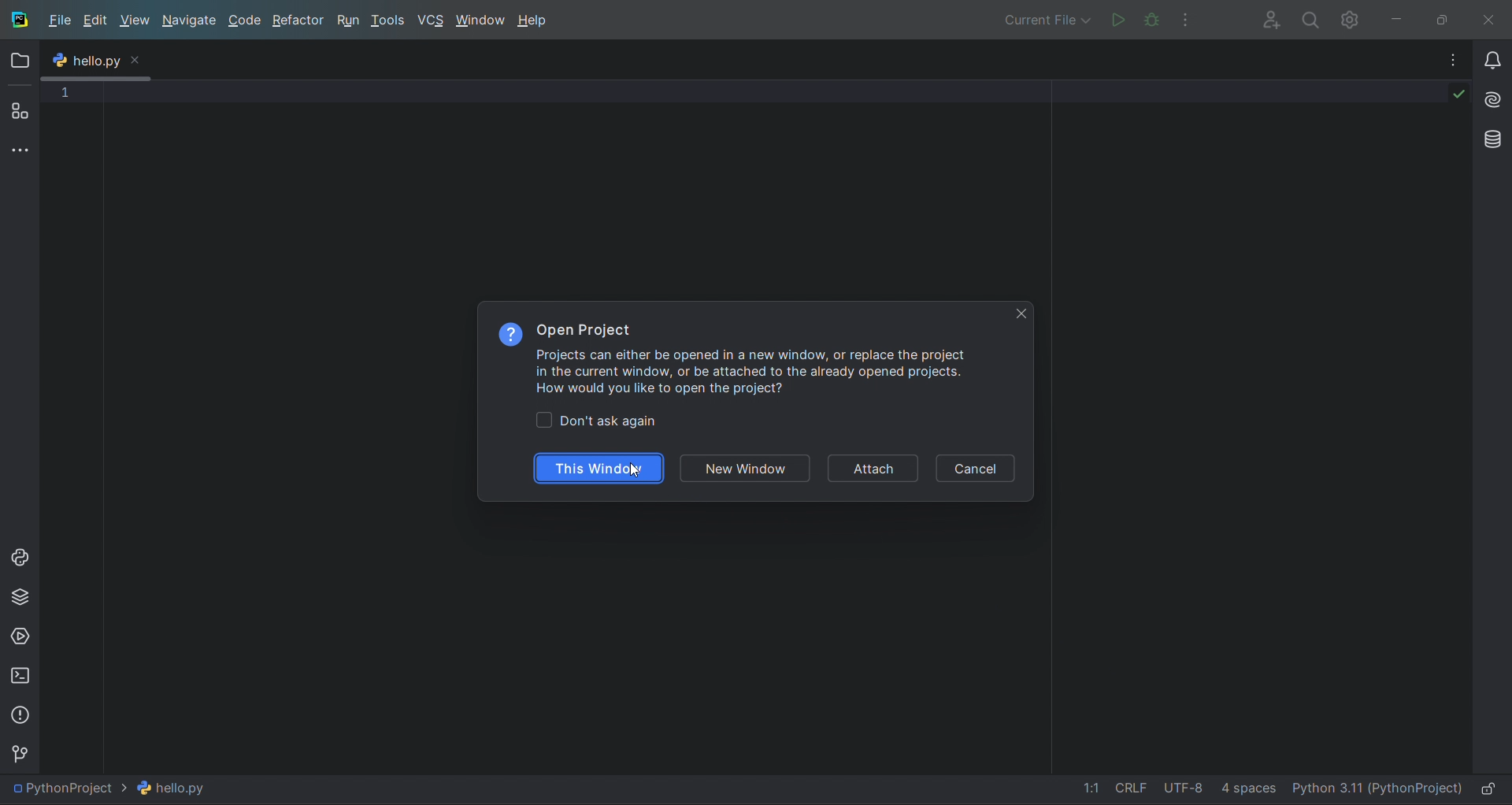 Image resolution: width=1512 pixels, height=805 pixels. Describe the element at coordinates (543, 421) in the screenshot. I see `check box` at that location.